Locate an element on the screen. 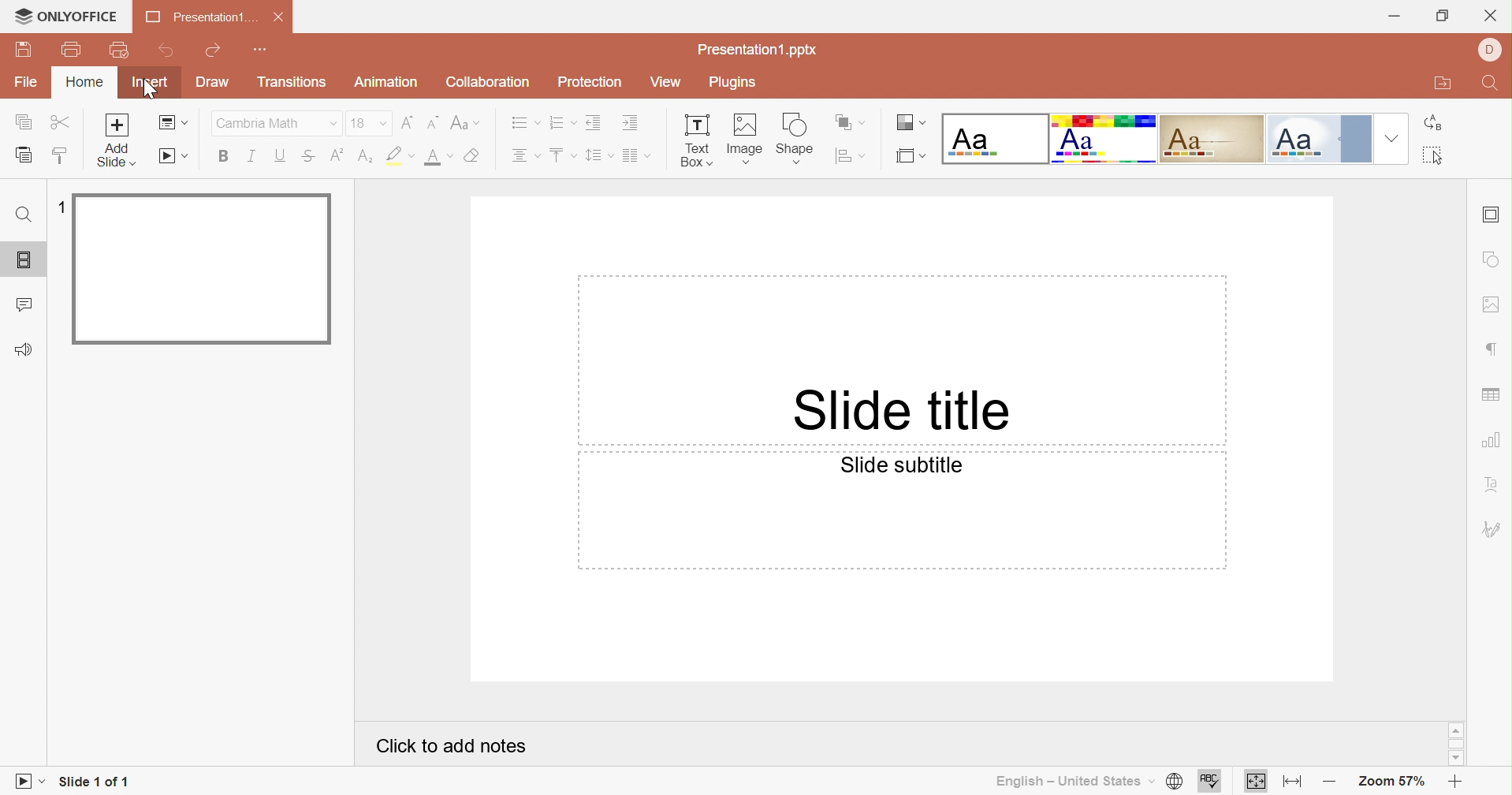  Find is located at coordinates (27, 216).